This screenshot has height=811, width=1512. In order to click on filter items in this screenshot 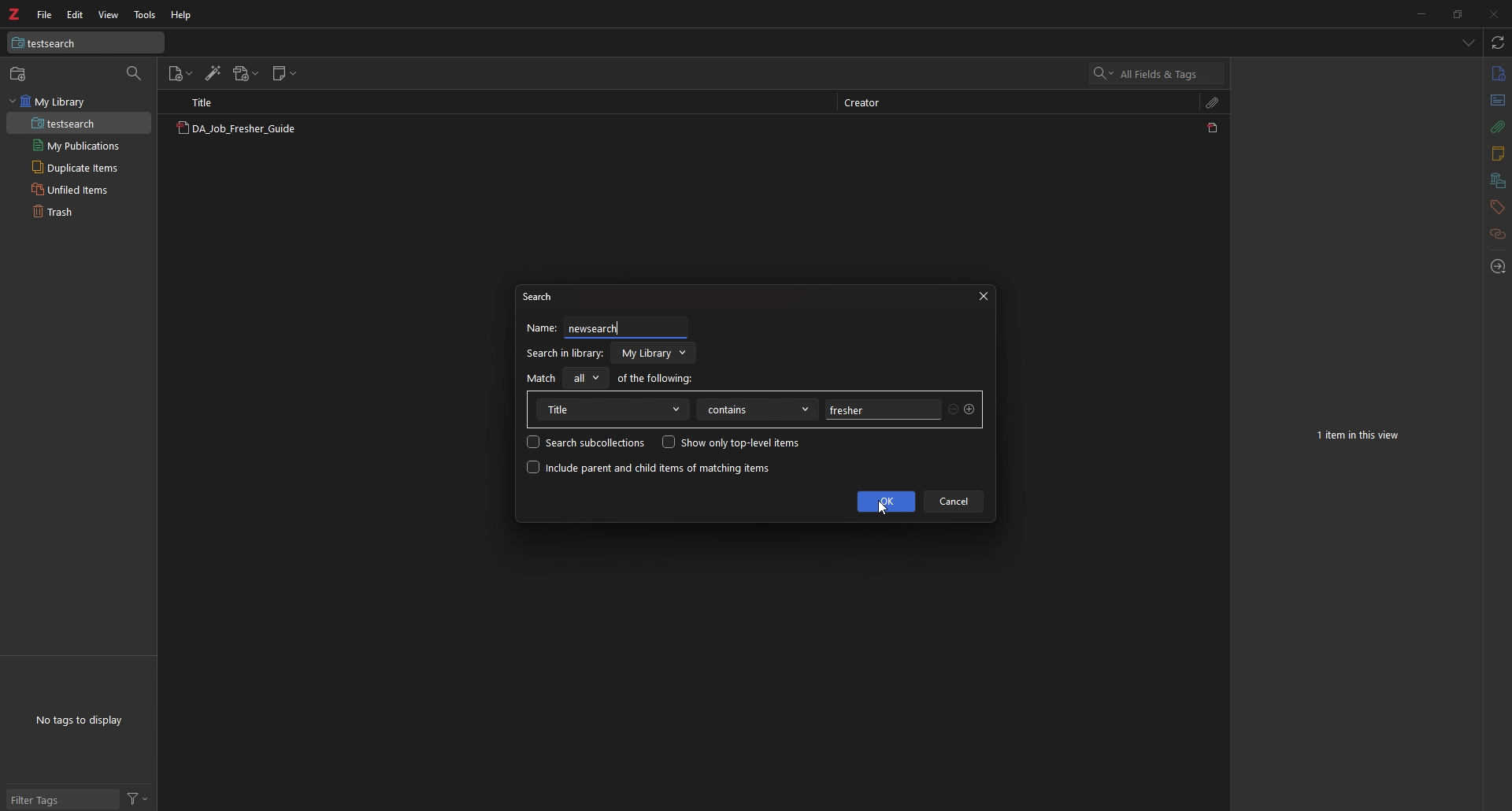, I will do `click(135, 74)`.